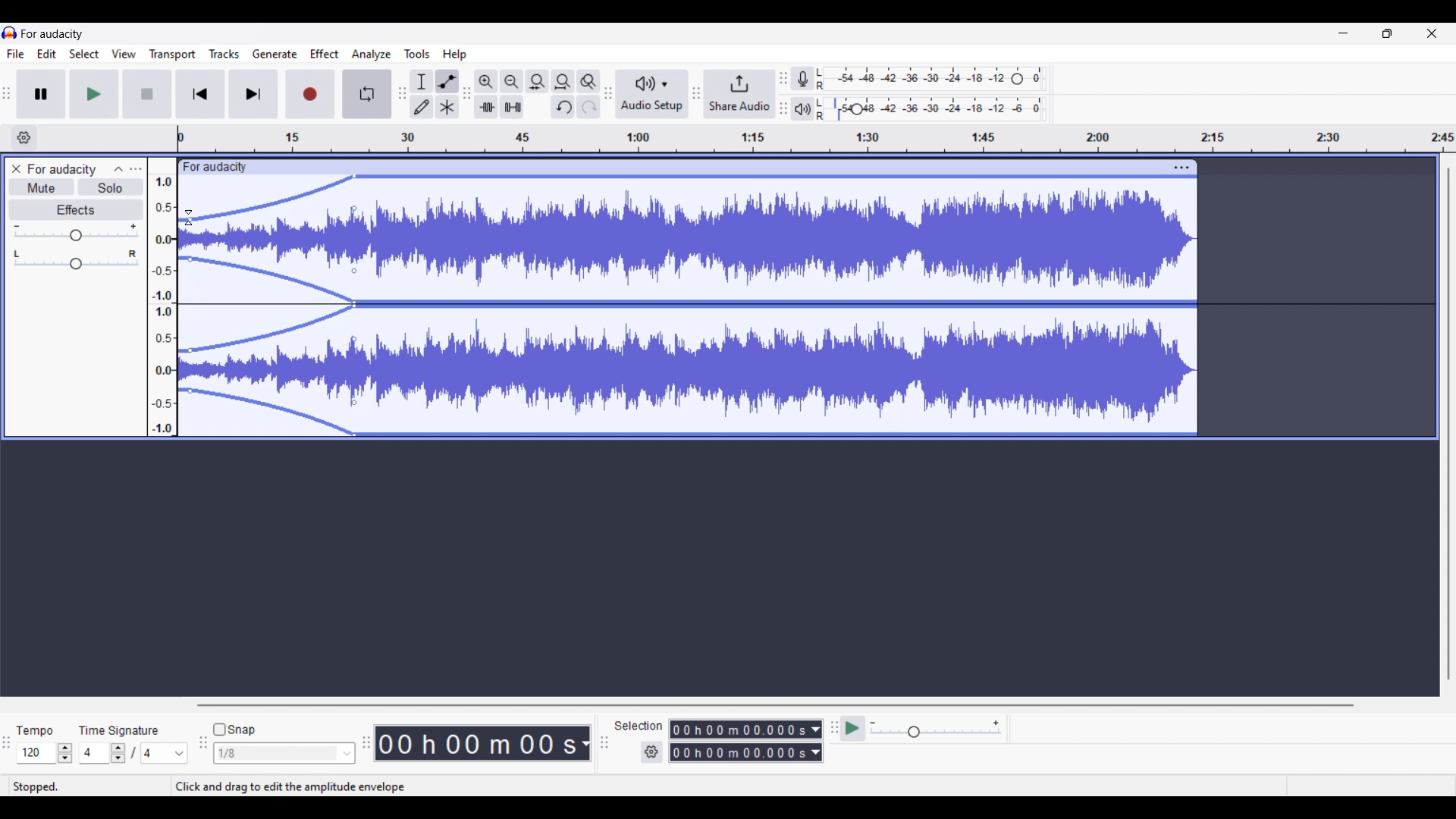  What do you see at coordinates (588, 81) in the screenshot?
I see `Zoom toggle` at bounding box center [588, 81].